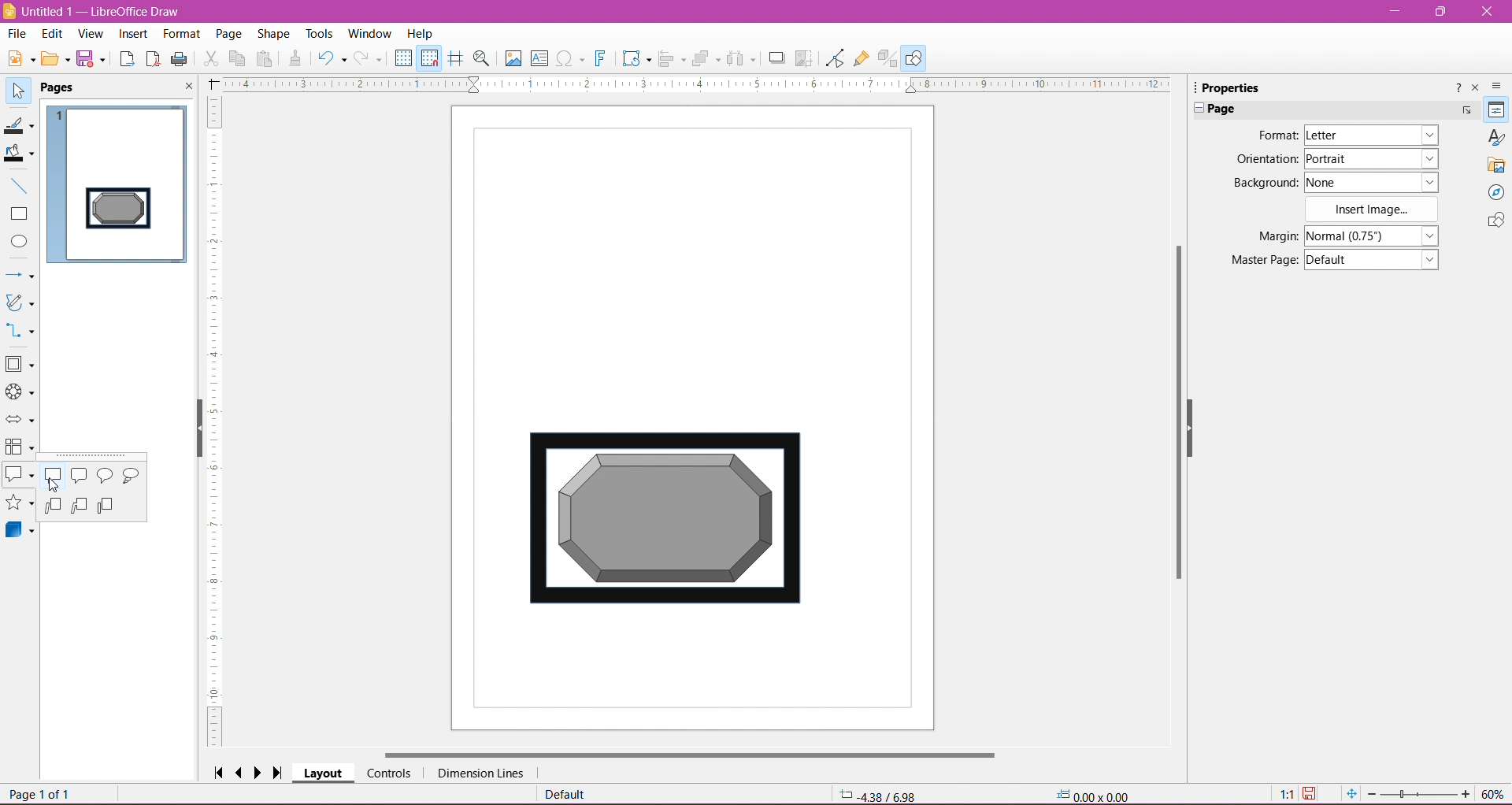  Describe the element at coordinates (511, 58) in the screenshot. I see `Insert Image` at that location.